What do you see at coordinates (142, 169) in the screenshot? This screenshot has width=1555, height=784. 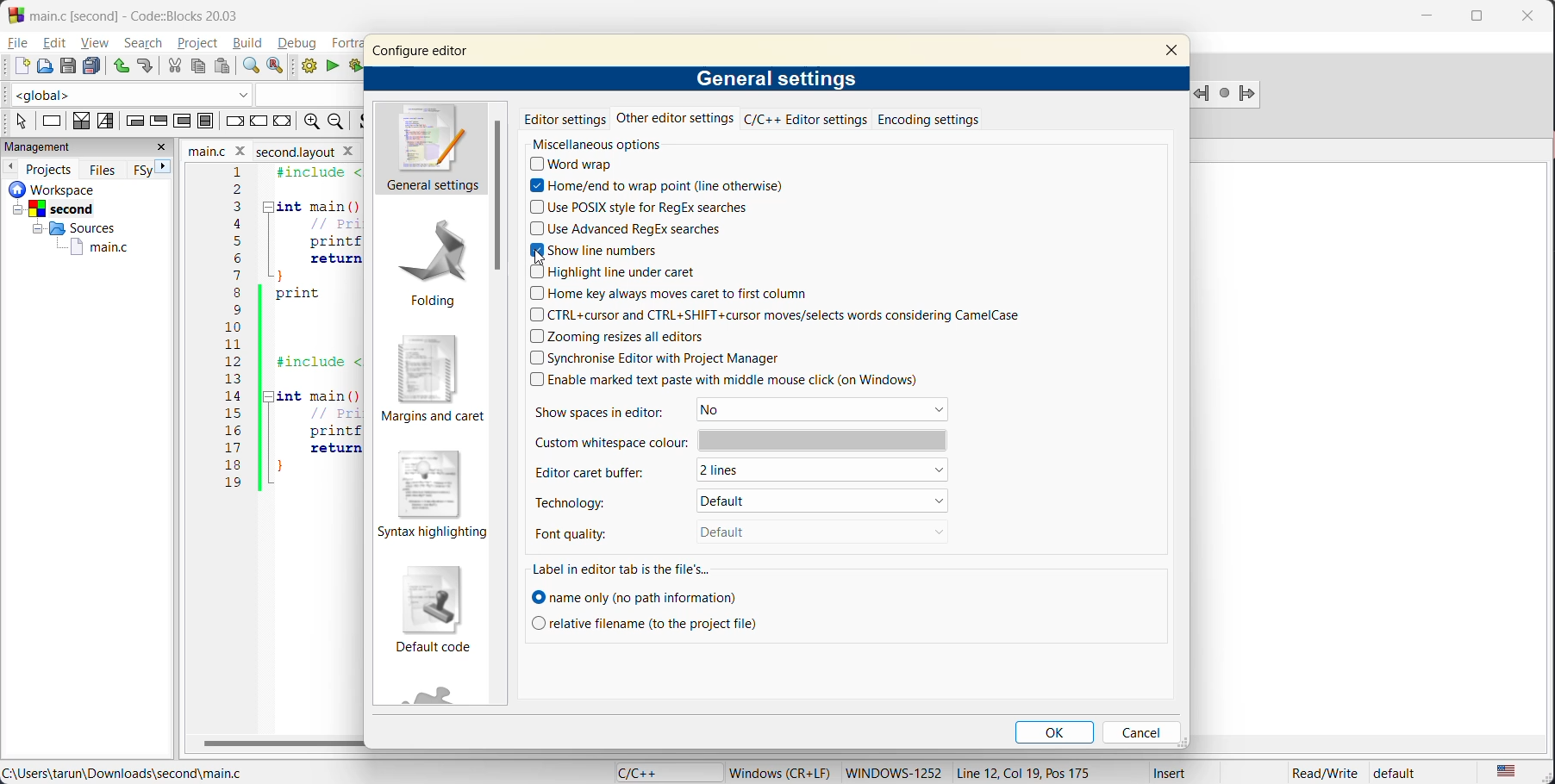 I see `FSy` at bounding box center [142, 169].